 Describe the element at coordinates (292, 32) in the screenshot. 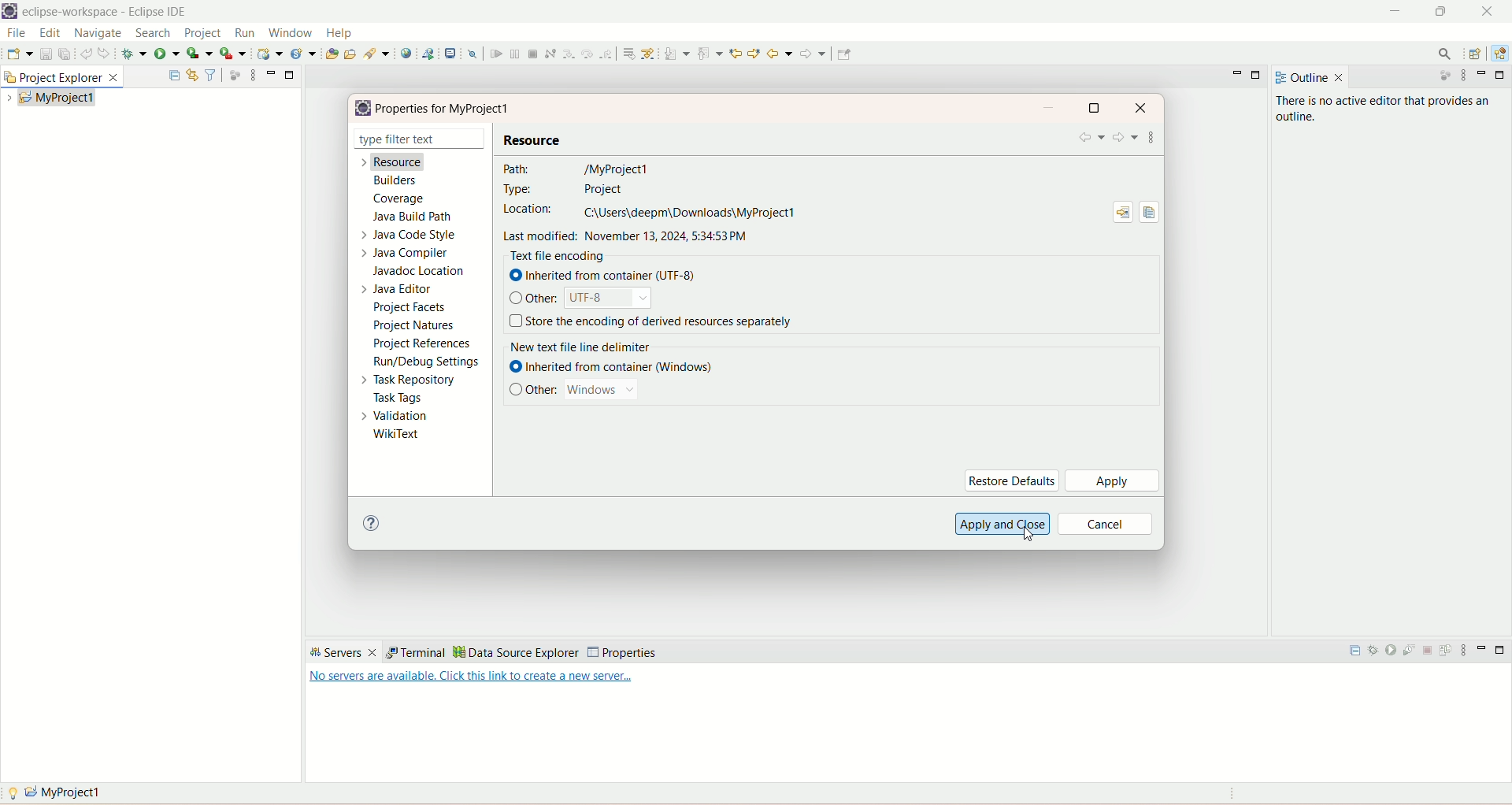

I see `window` at that location.